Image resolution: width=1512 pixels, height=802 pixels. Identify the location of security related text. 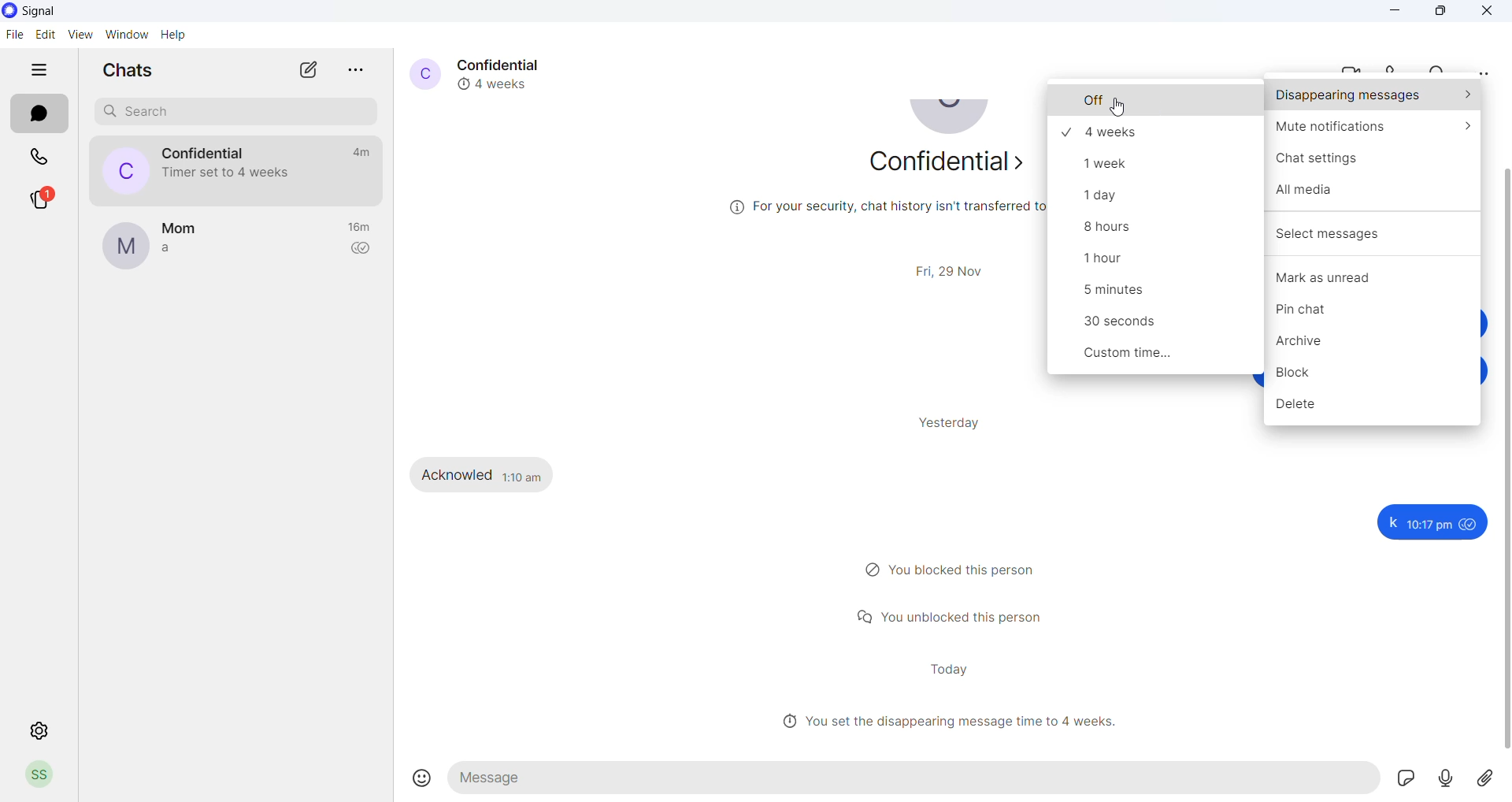
(863, 213).